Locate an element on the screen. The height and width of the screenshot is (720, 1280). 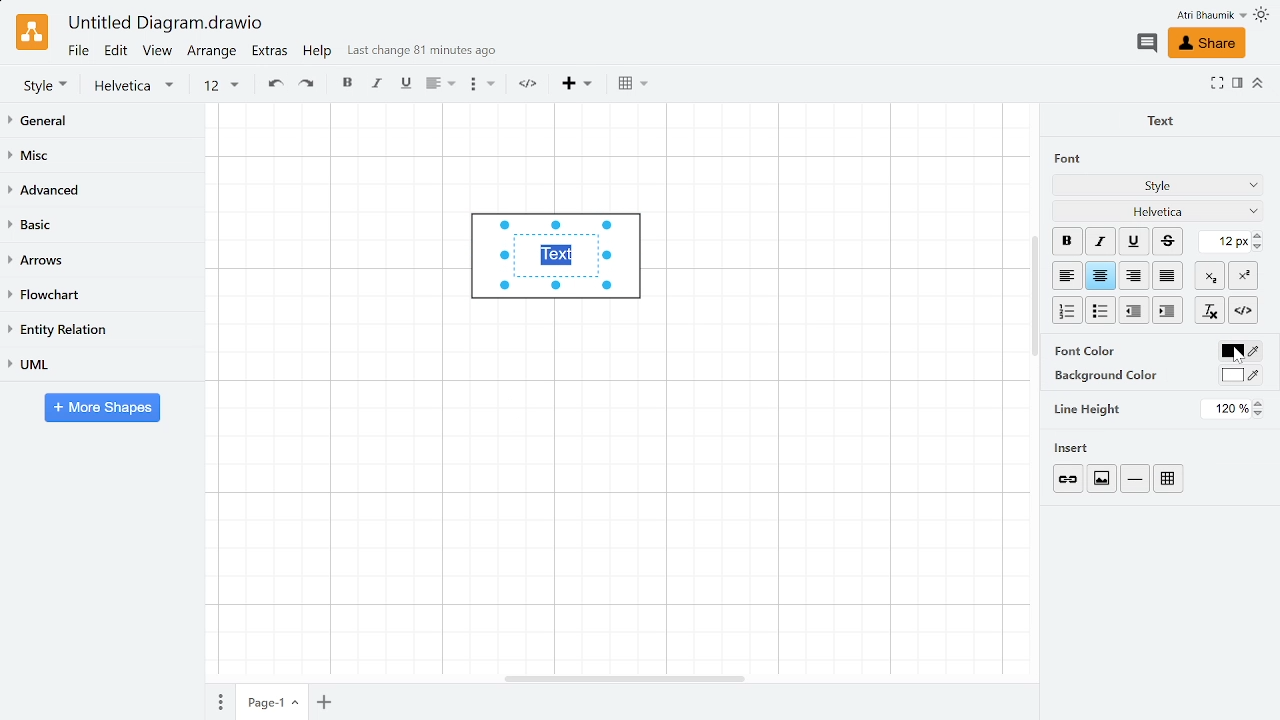
Current window is located at coordinates (164, 24).